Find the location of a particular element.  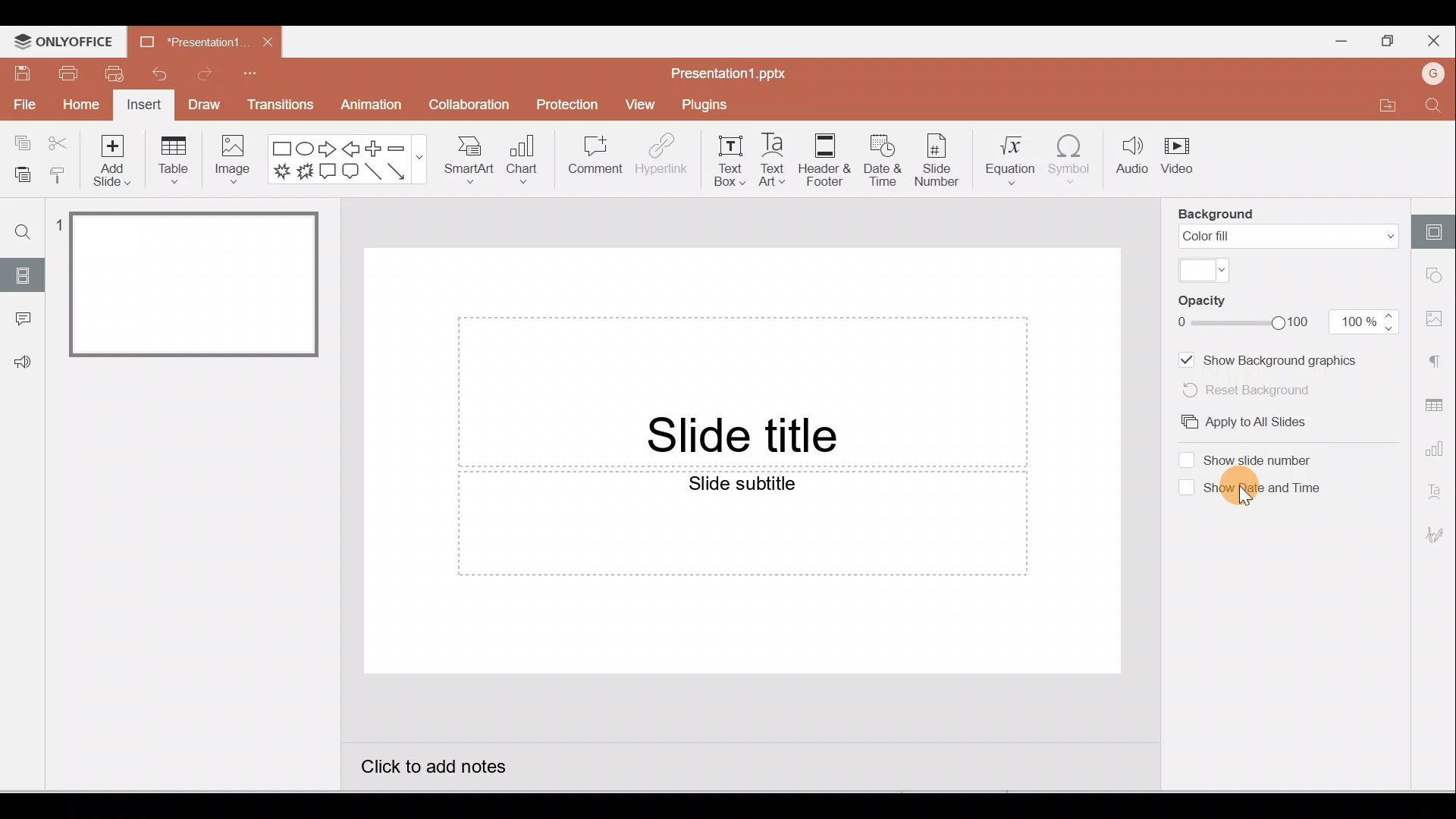

Chart settings is located at coordinates (1437, 452).